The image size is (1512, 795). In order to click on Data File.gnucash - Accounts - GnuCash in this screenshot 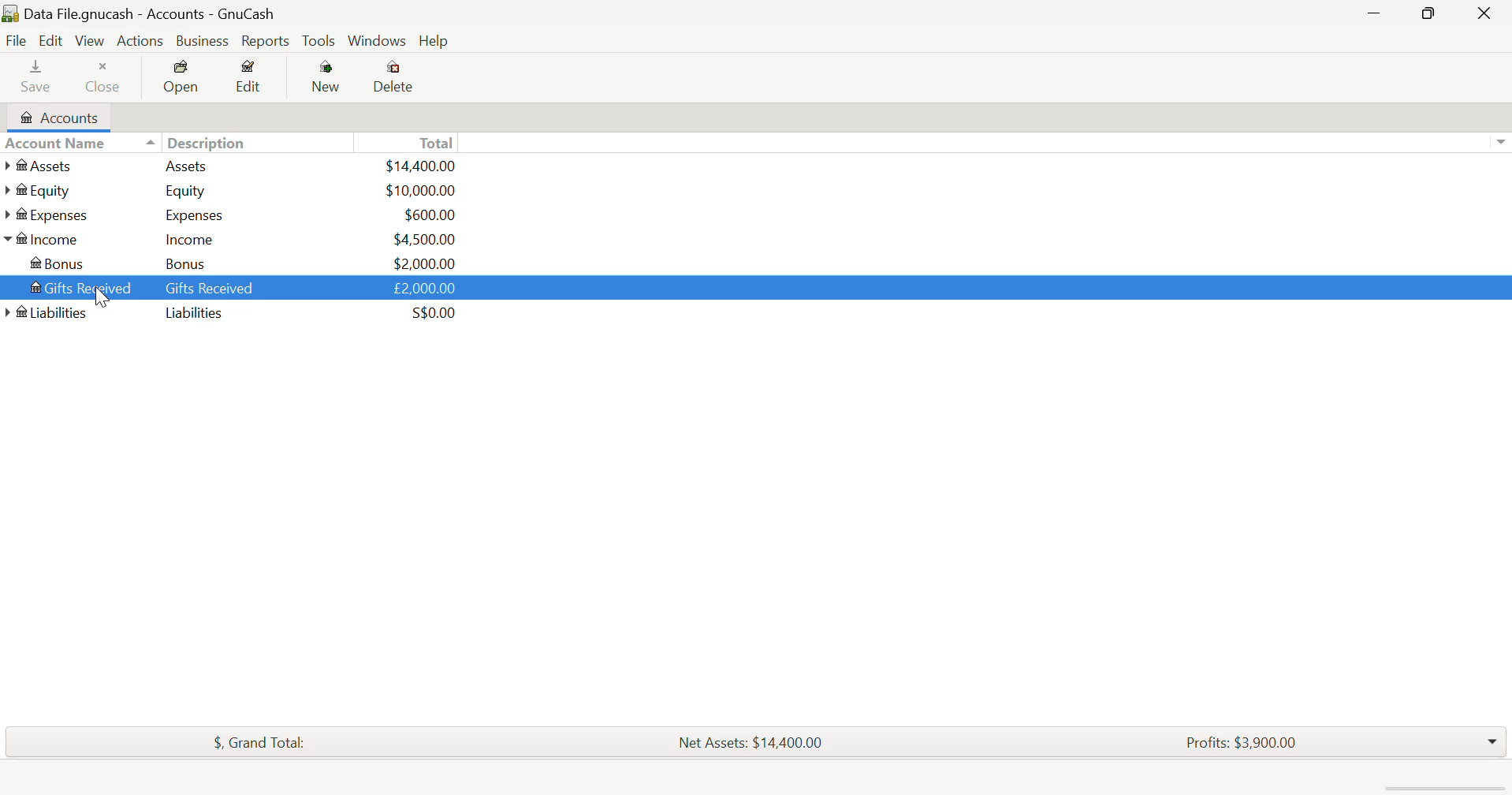, I will do `click(143, 13)`.